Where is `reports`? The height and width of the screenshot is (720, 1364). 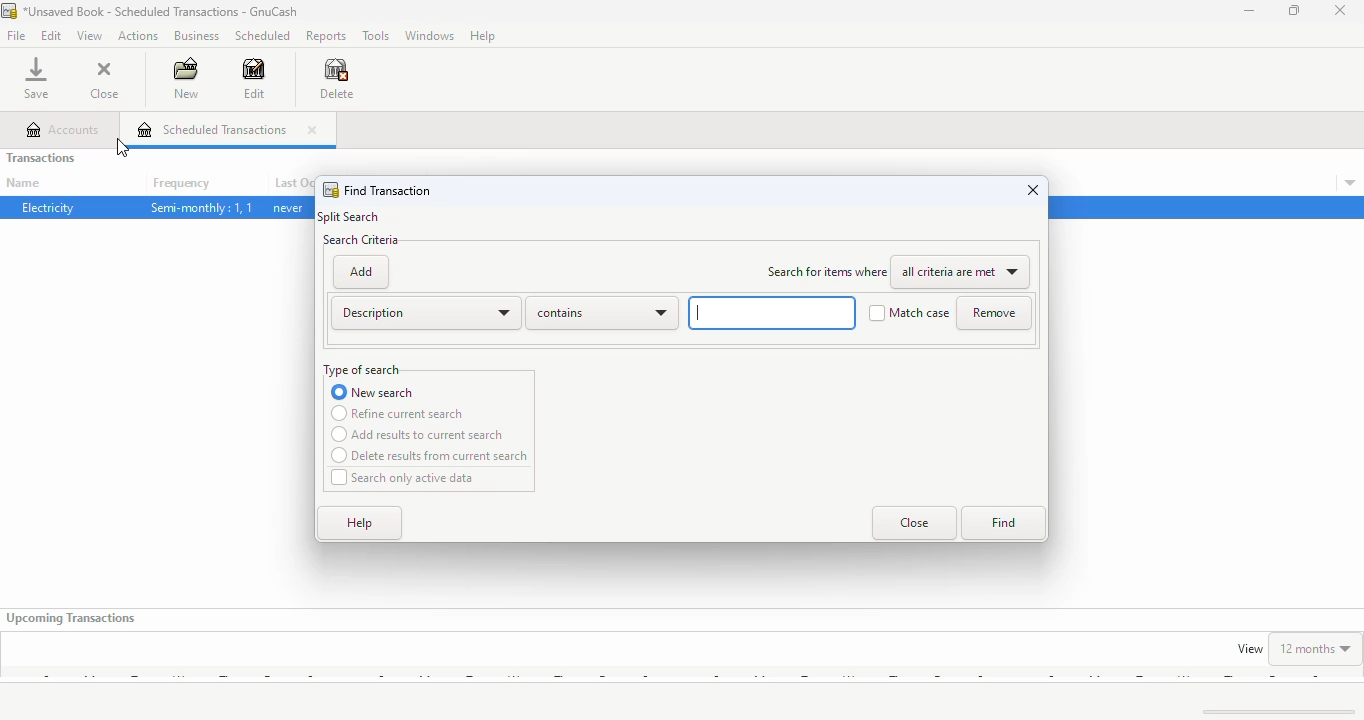
reports is located at coordinates (326, 37).